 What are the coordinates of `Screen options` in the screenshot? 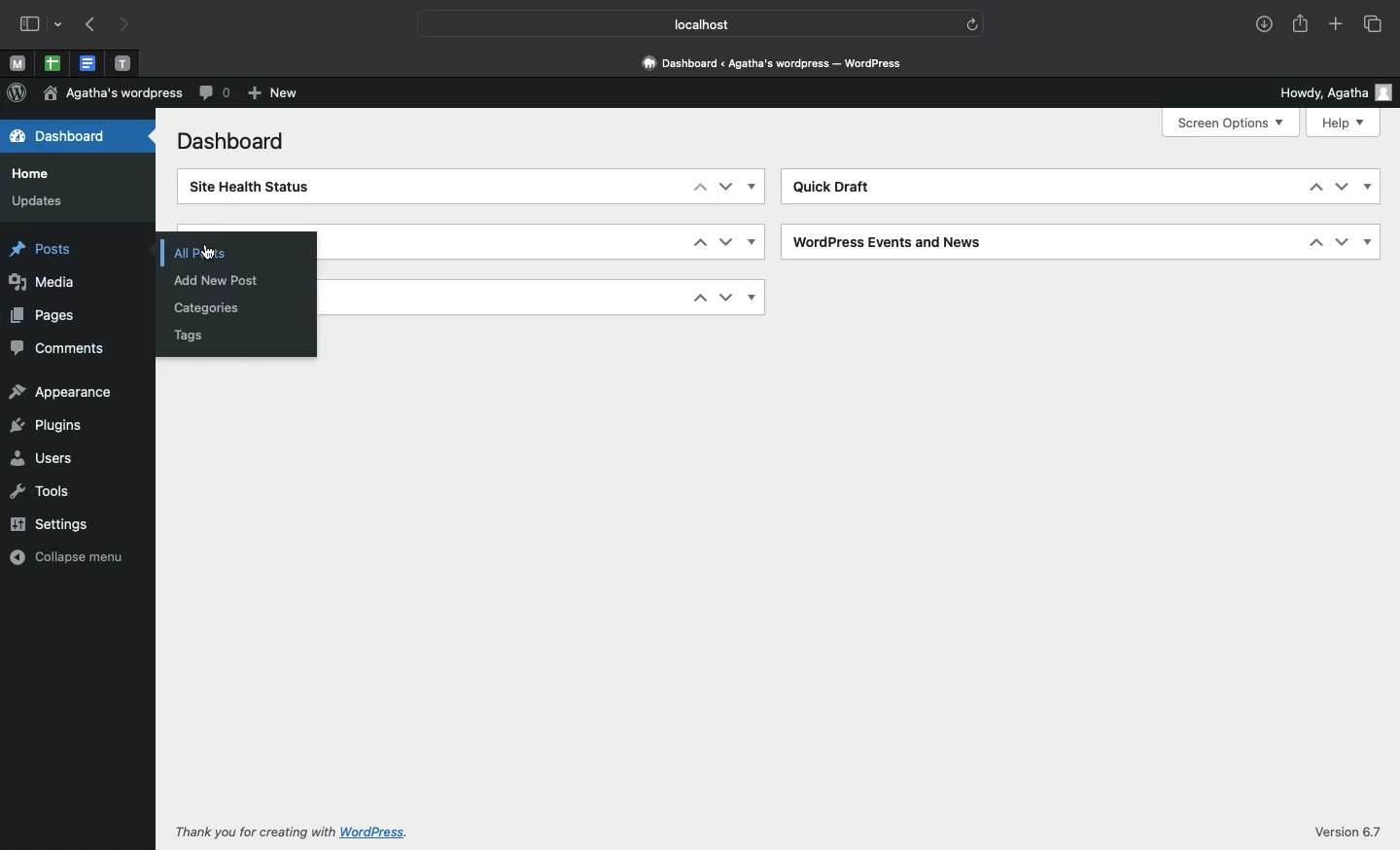 It's located at (1233, 123).